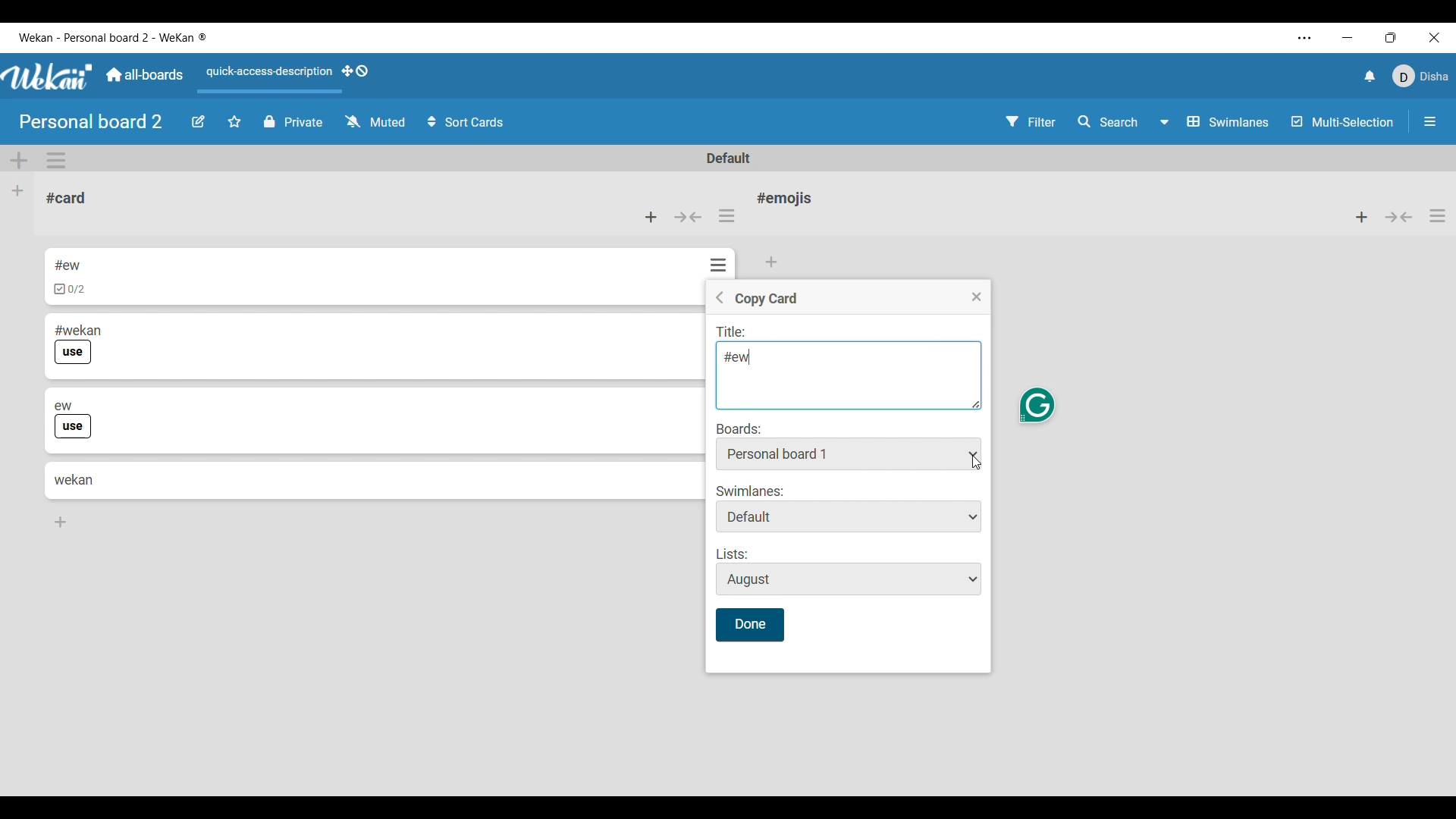 The height and width of the screenshot is (819, 1456). I want to click on Show desktop drag handles, so click(355, 71).